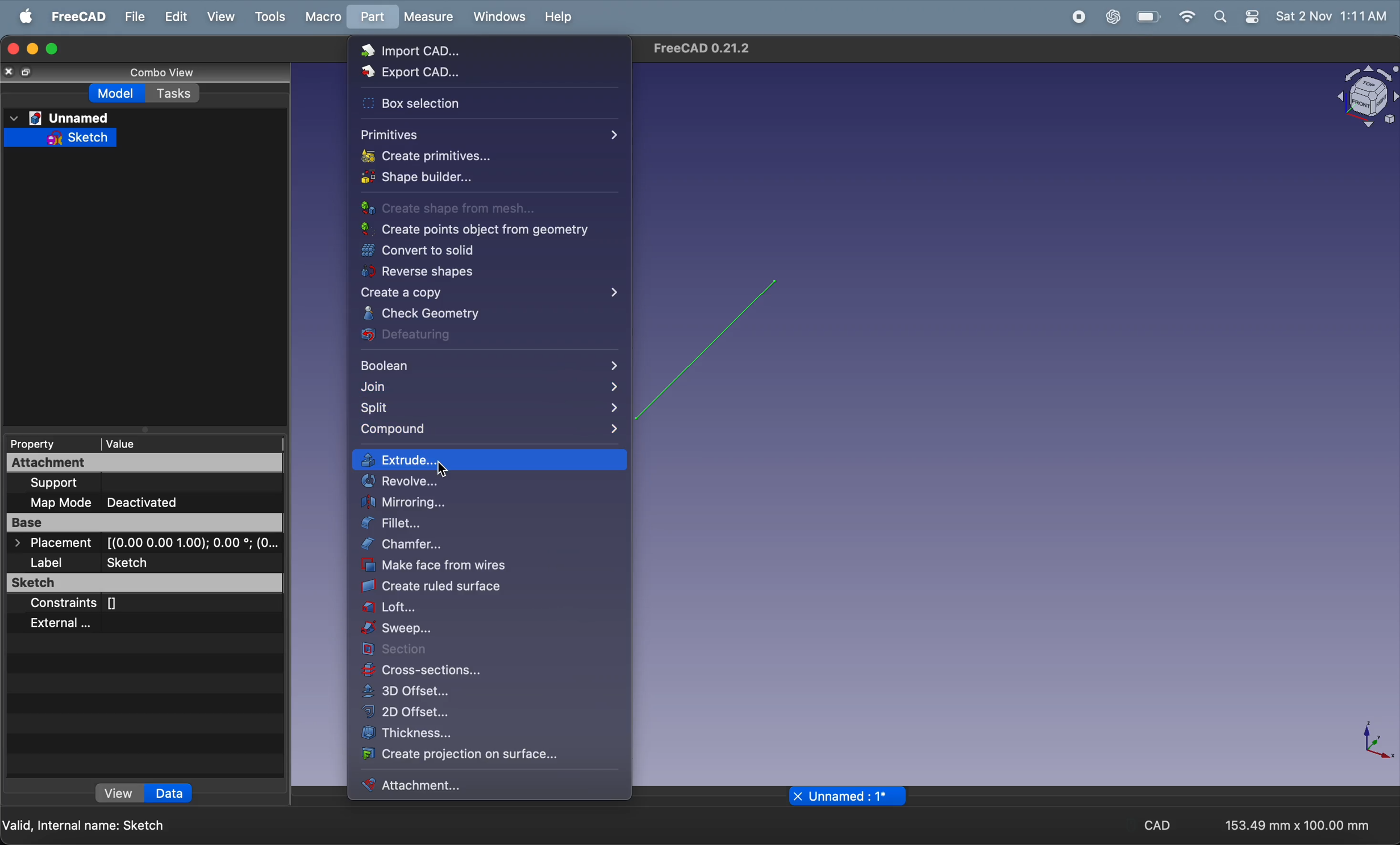 This screenshot has width=1400, height=845. What do you see at coordinates (61, 484) in the screenshot?
I see `support` at bounding box center [61, 484].